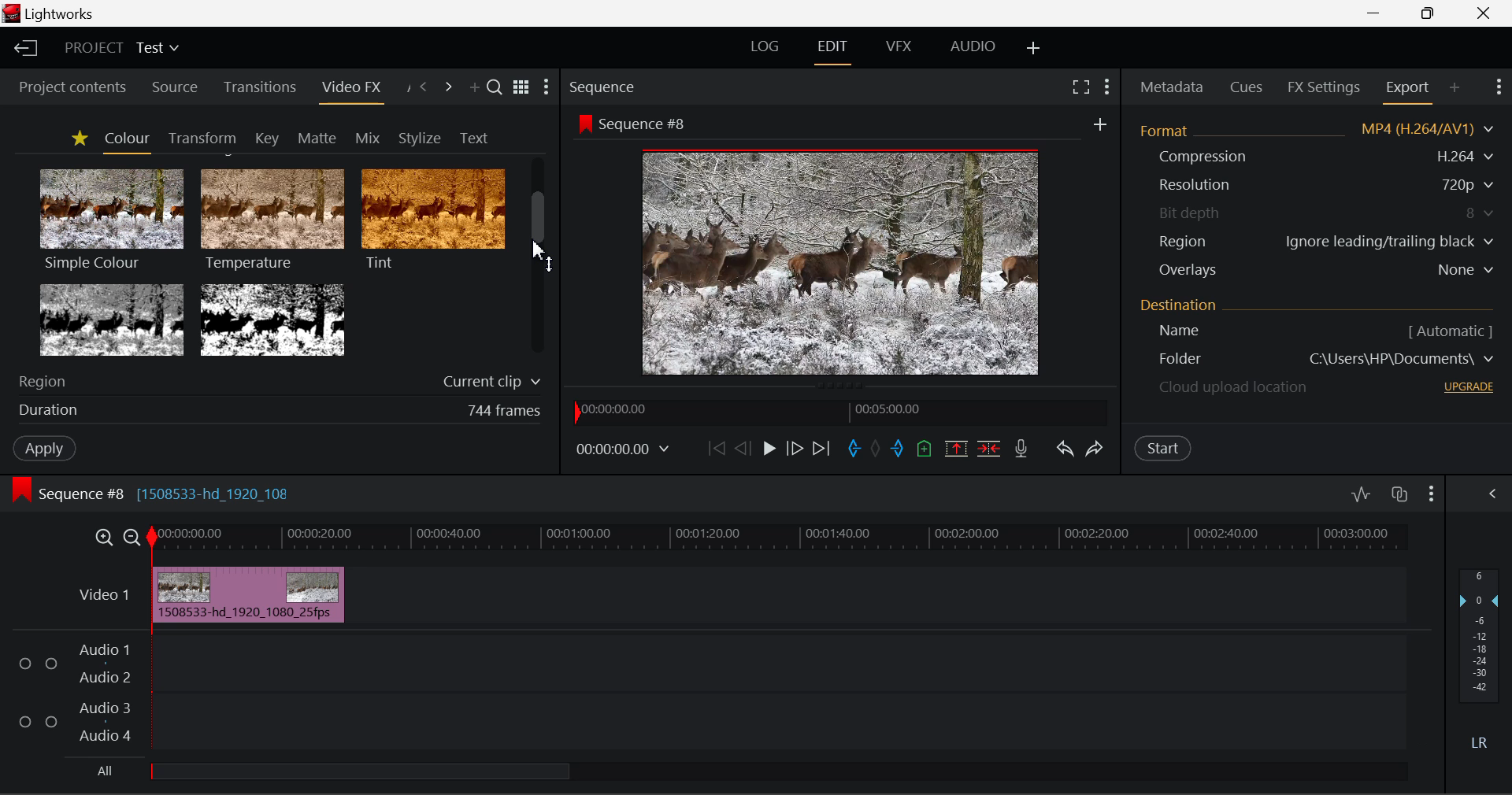  What do you see at coordinates (539, 259) in the screenshot?
I see `Scroll Bar` at bounding box center [539, 259].